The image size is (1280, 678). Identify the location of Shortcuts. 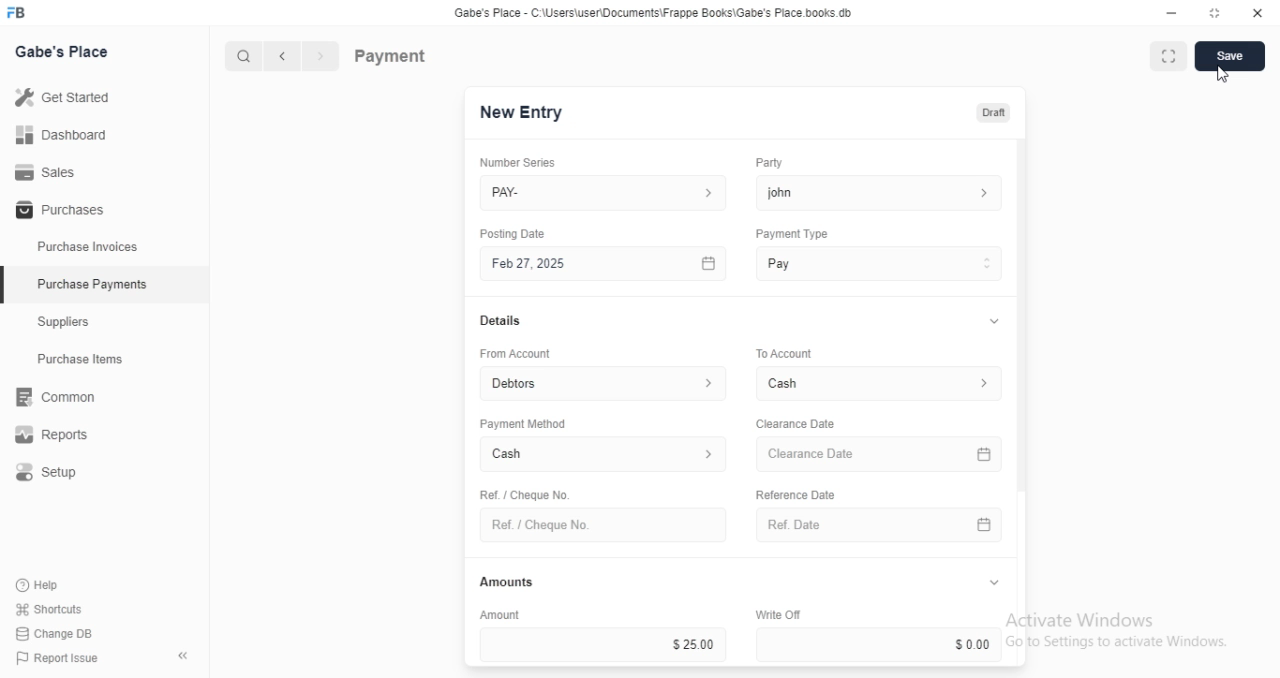
(47, 610).